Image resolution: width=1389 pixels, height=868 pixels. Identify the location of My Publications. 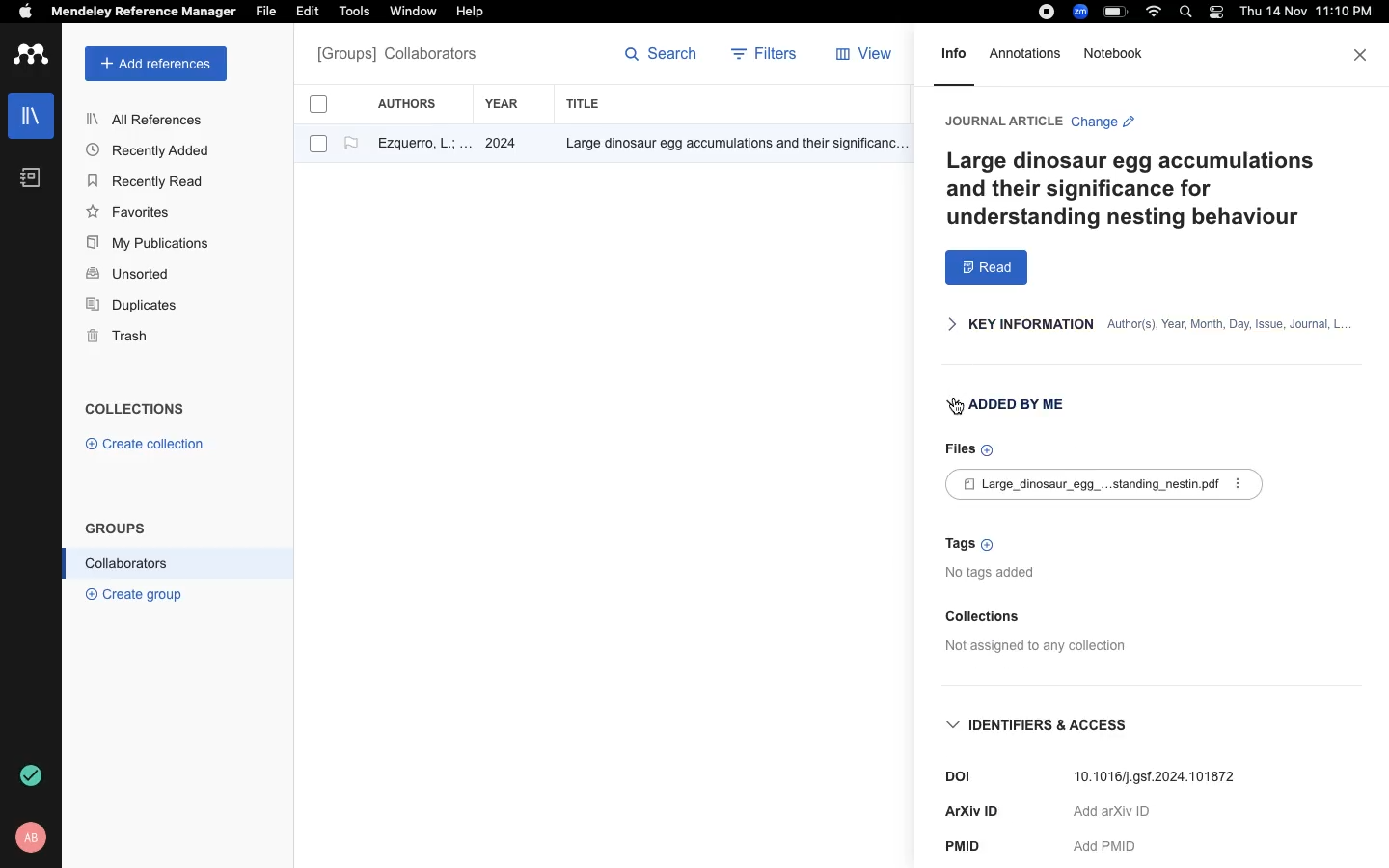
(149, 246).